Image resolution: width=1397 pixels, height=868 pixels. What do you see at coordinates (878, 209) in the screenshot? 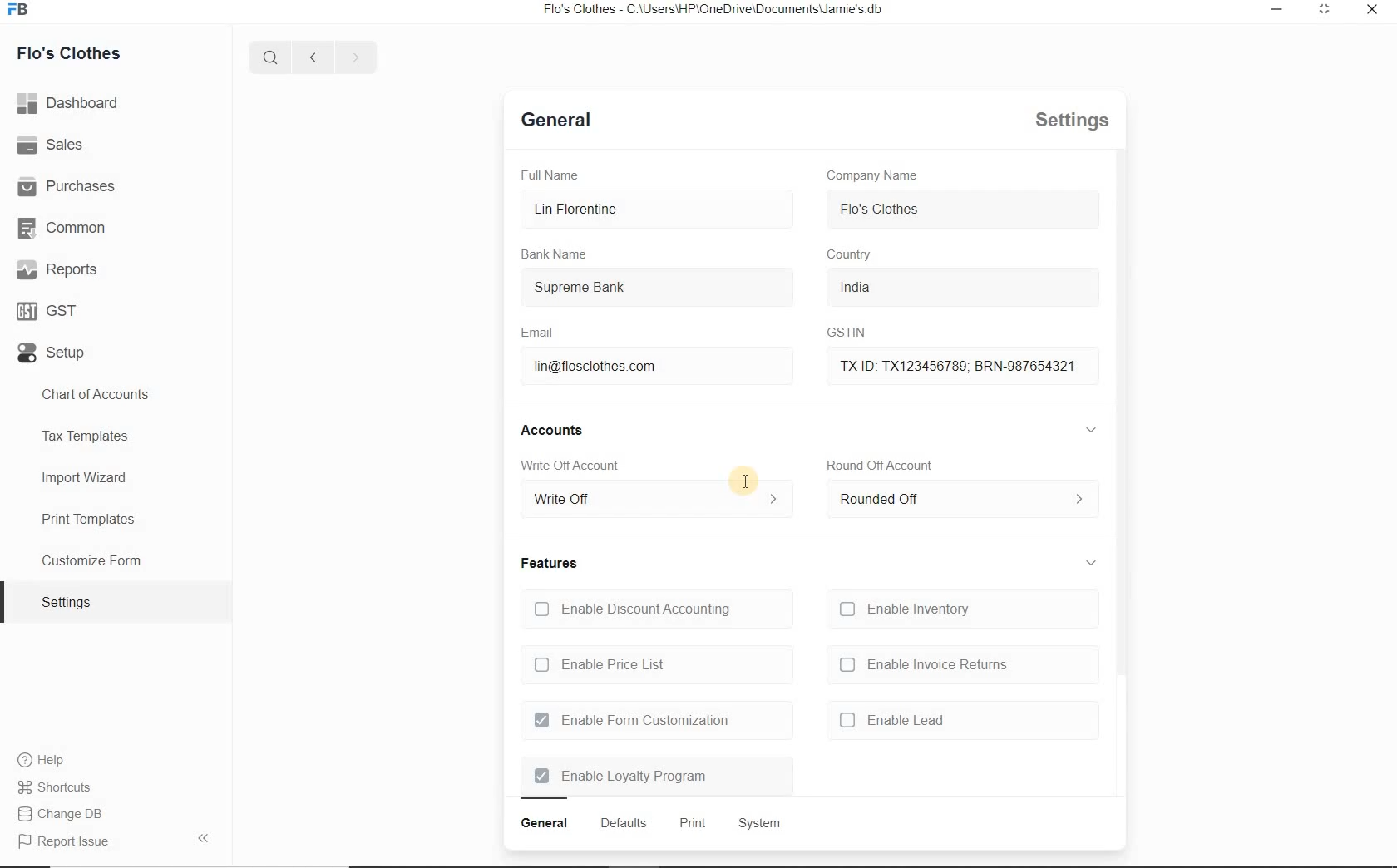
I see `Flo's Clothes` at bounding box center [878, 209].